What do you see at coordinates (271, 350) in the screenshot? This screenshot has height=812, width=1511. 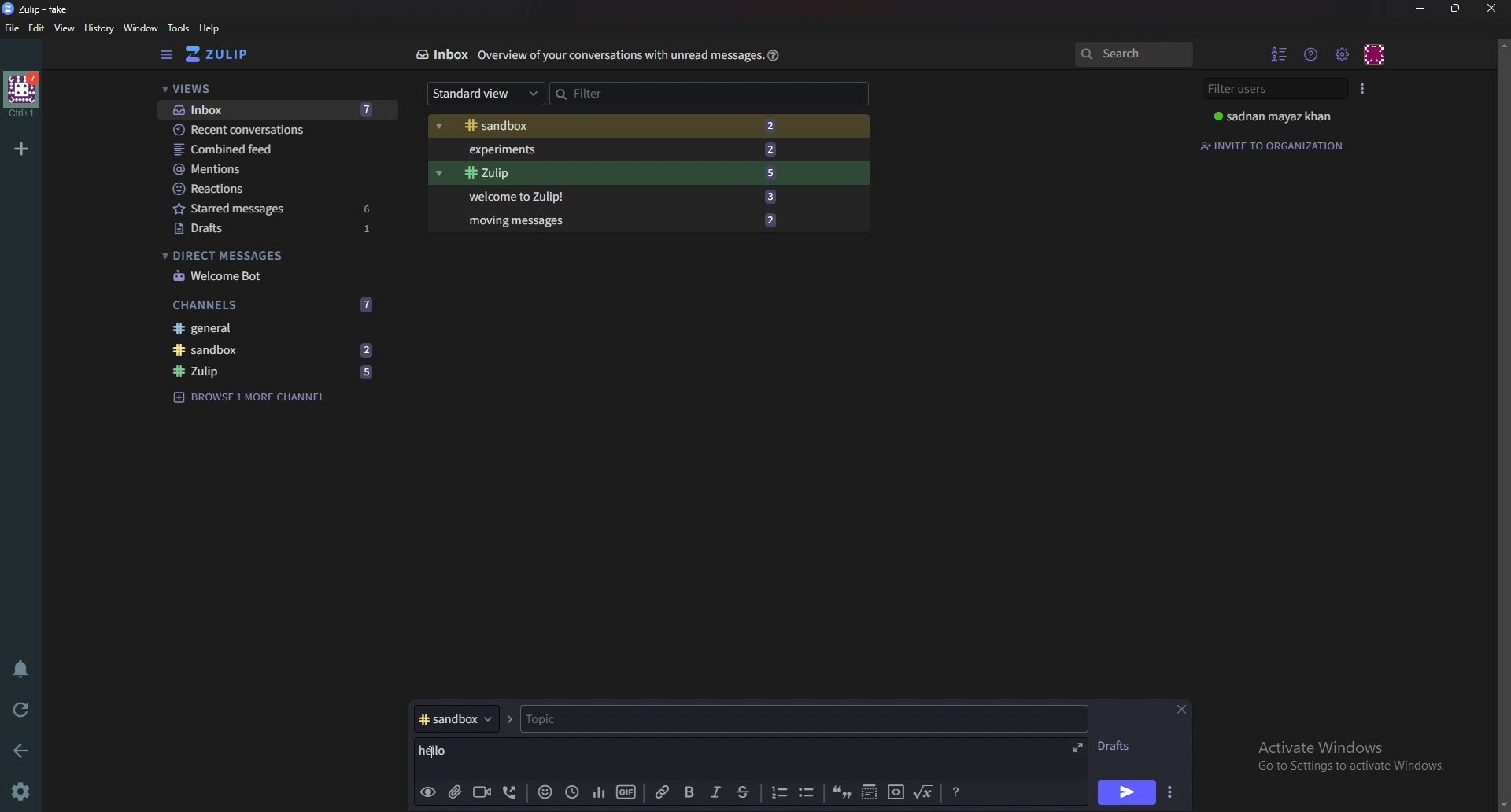 I see `#sandbox 2` at bounding box center [271, 350].